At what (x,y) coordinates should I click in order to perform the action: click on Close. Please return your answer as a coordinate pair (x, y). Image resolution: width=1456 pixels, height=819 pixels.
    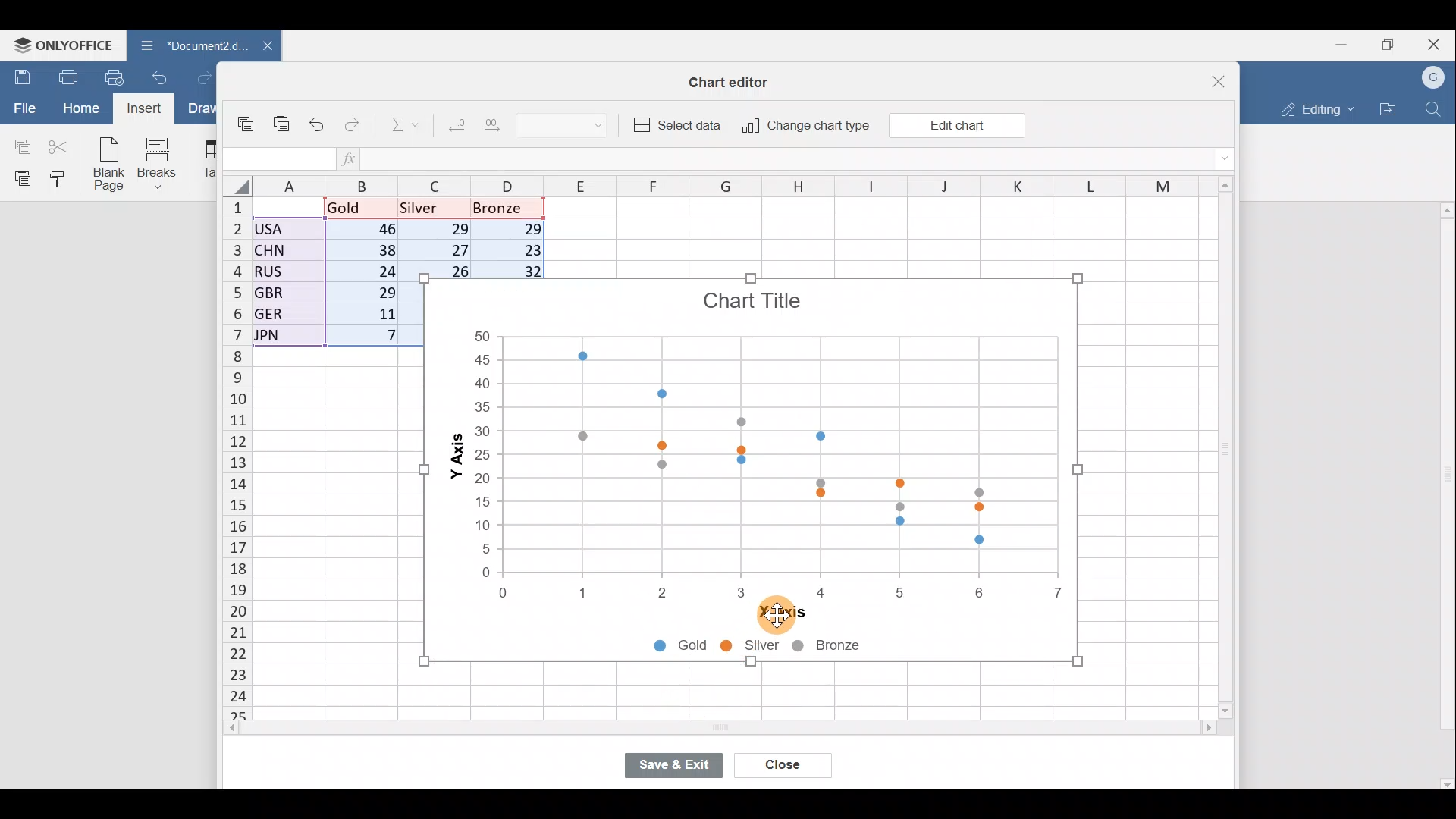
    Looking at the image, I should click on (1209, 76).